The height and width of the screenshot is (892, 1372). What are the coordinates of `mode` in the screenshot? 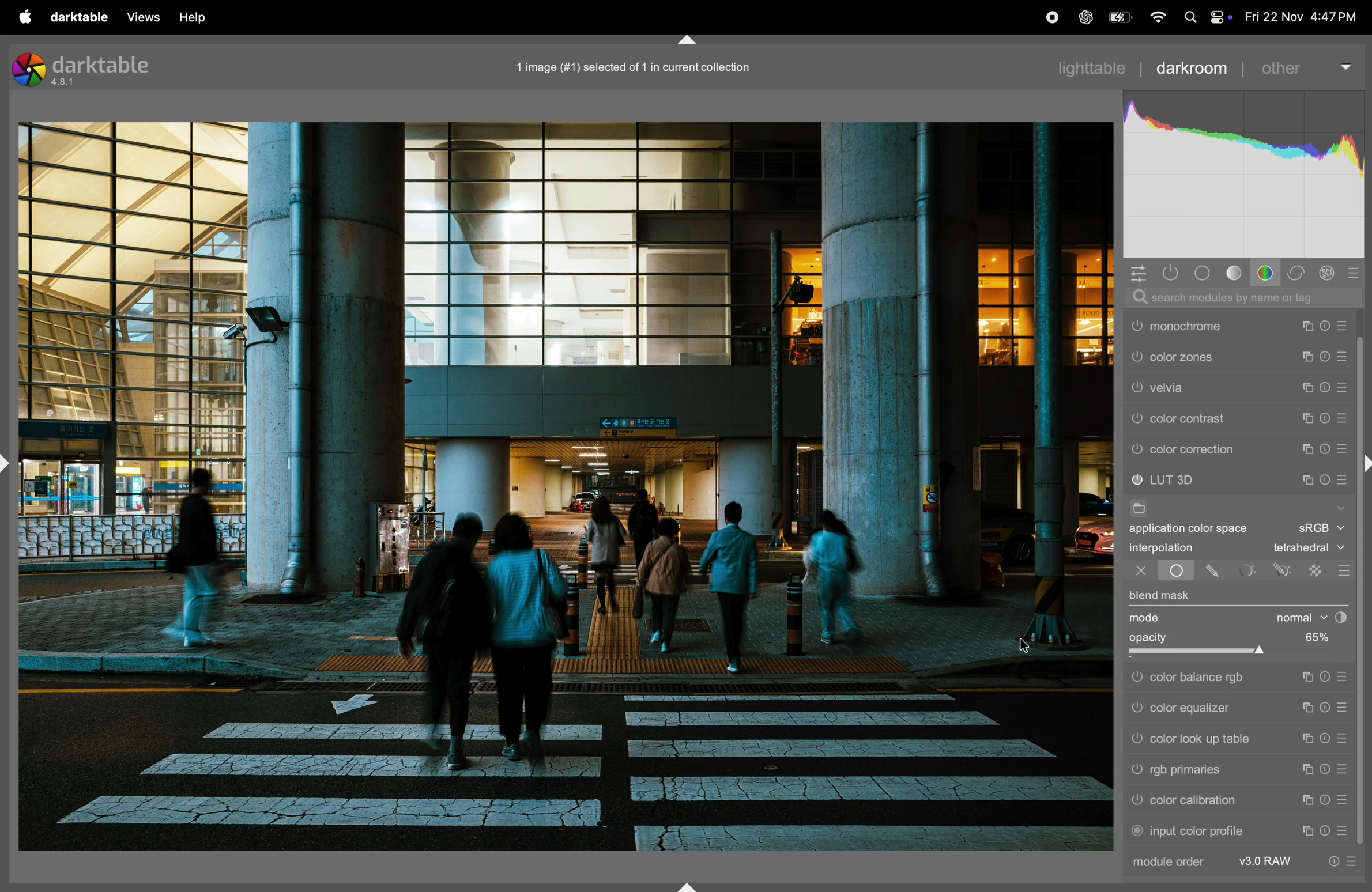 It's located at (1146, 619).